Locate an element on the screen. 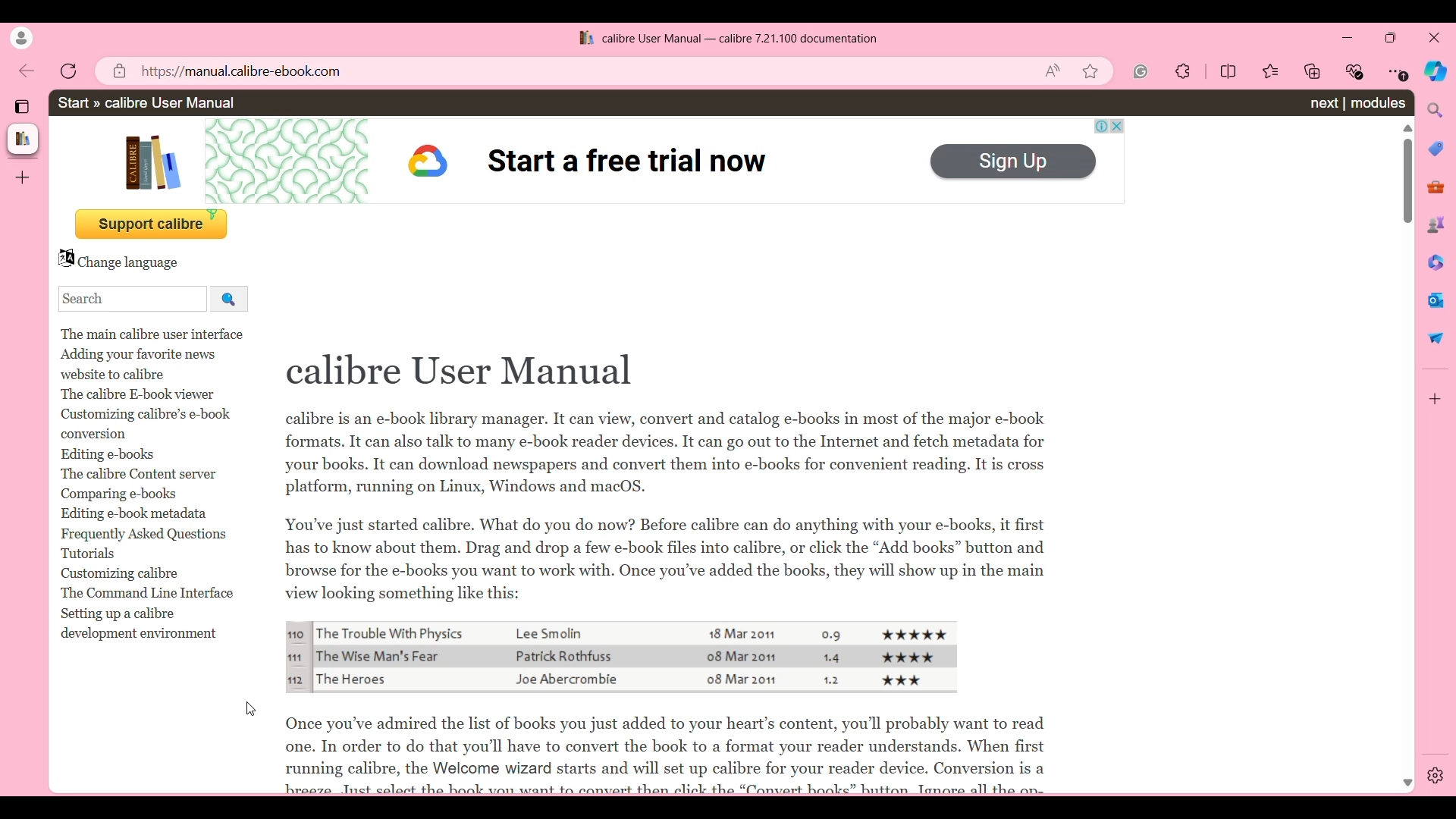 The width and height of the screenshot is (1456, 819). Reload page is located at coordinates (69, 71).